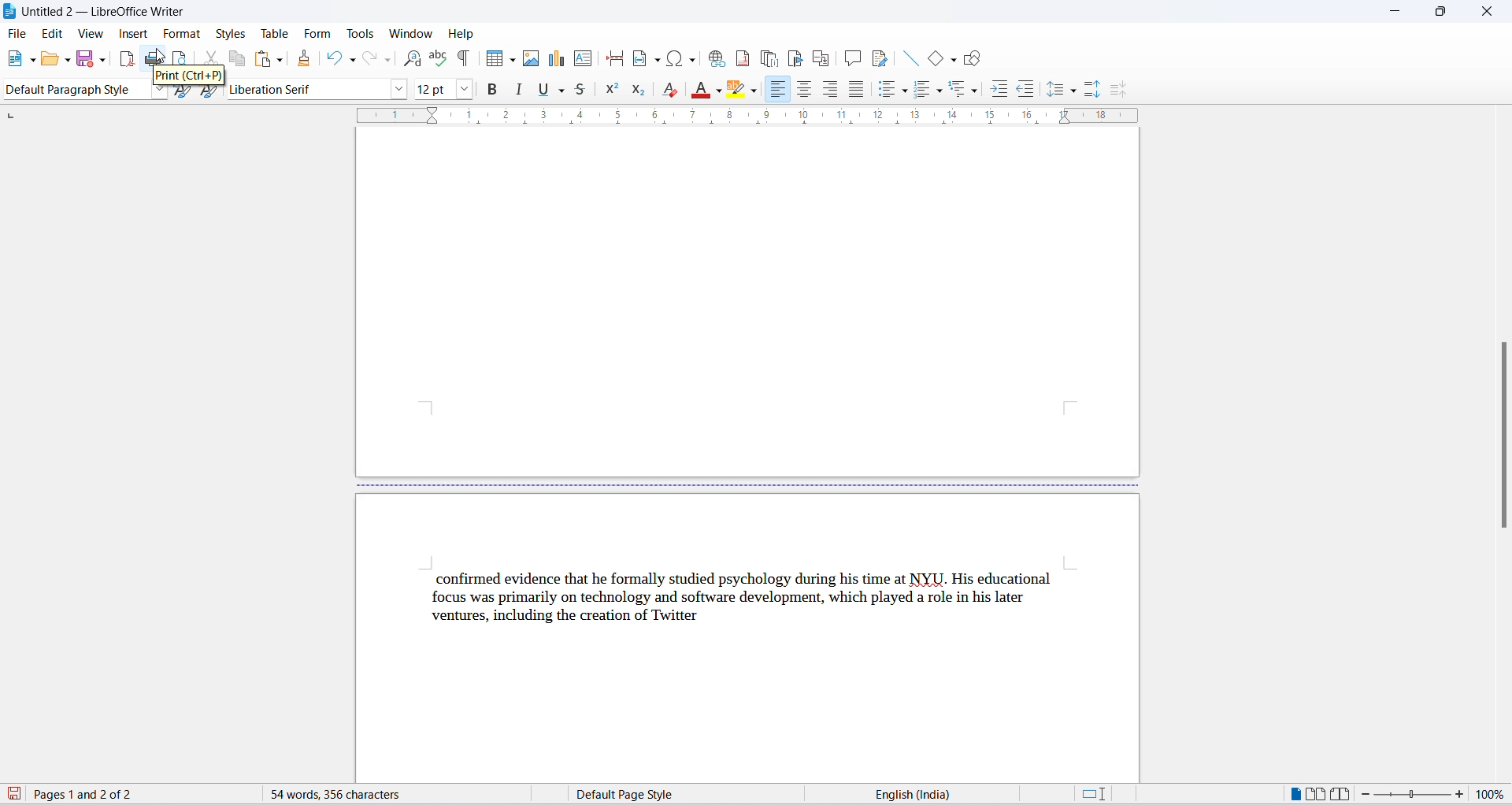  I want to click on clear direct formatting, so click(668, 91).